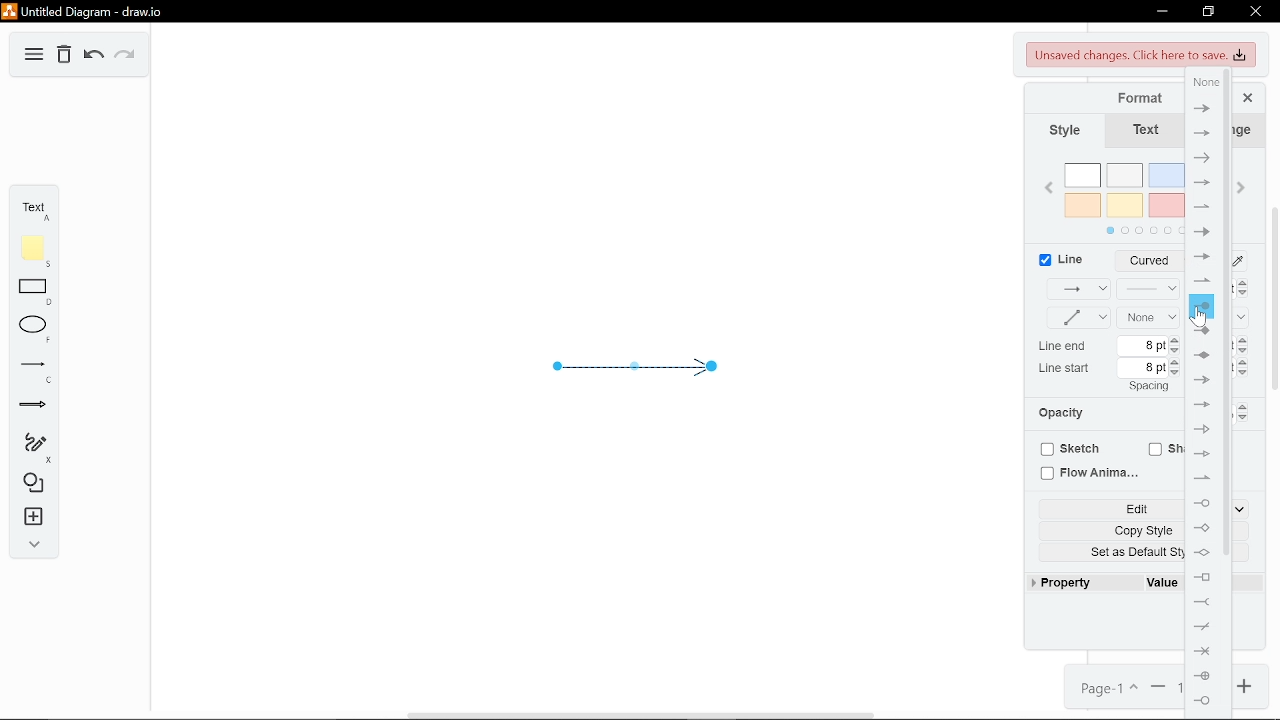  What do you see at coordinates (1245, 361) in the screenshot?
I see `Increase line start size` at bounding box center [1245, 361].